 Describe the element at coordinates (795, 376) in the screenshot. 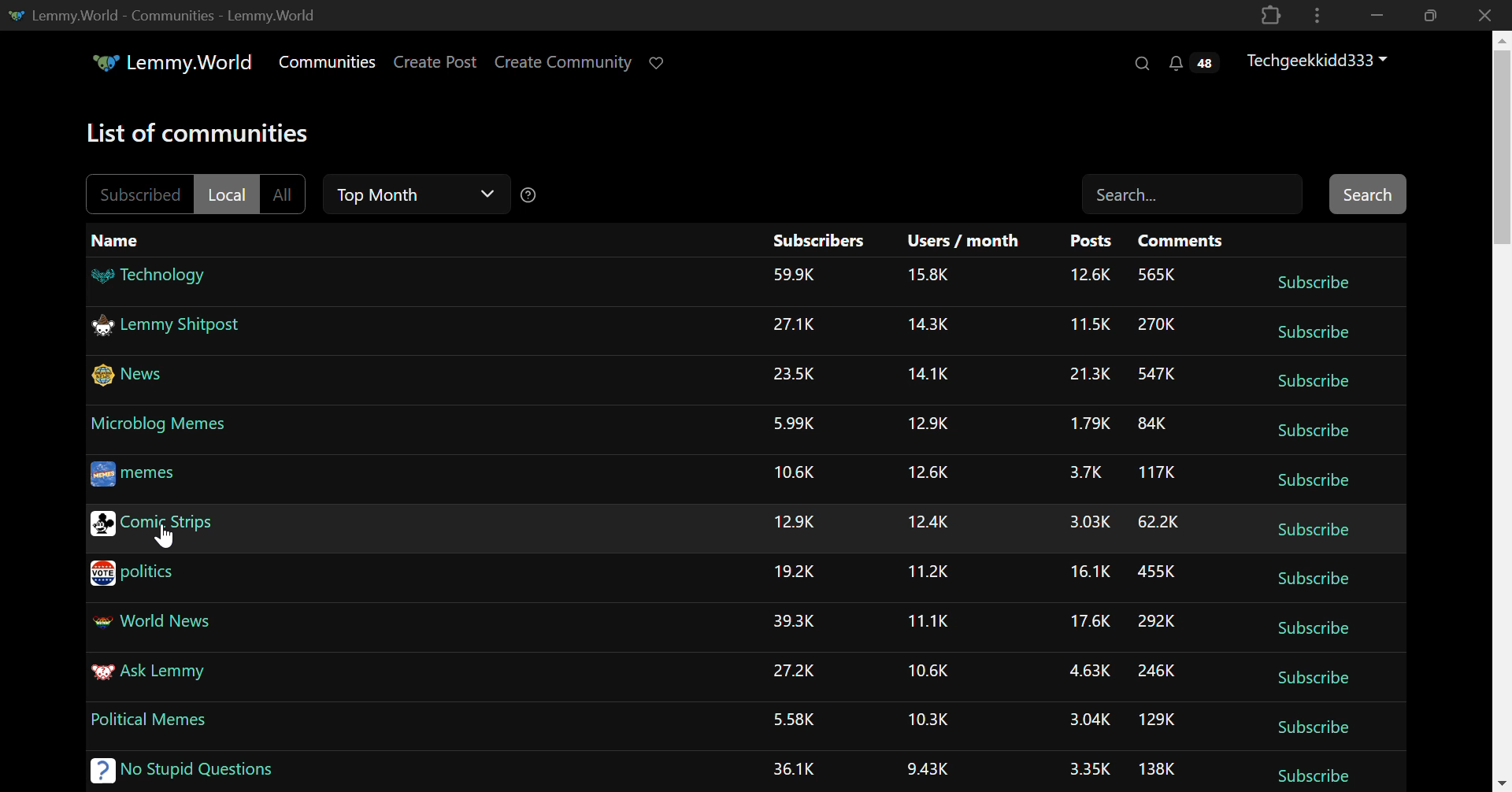

I see `23.5K` at that location.